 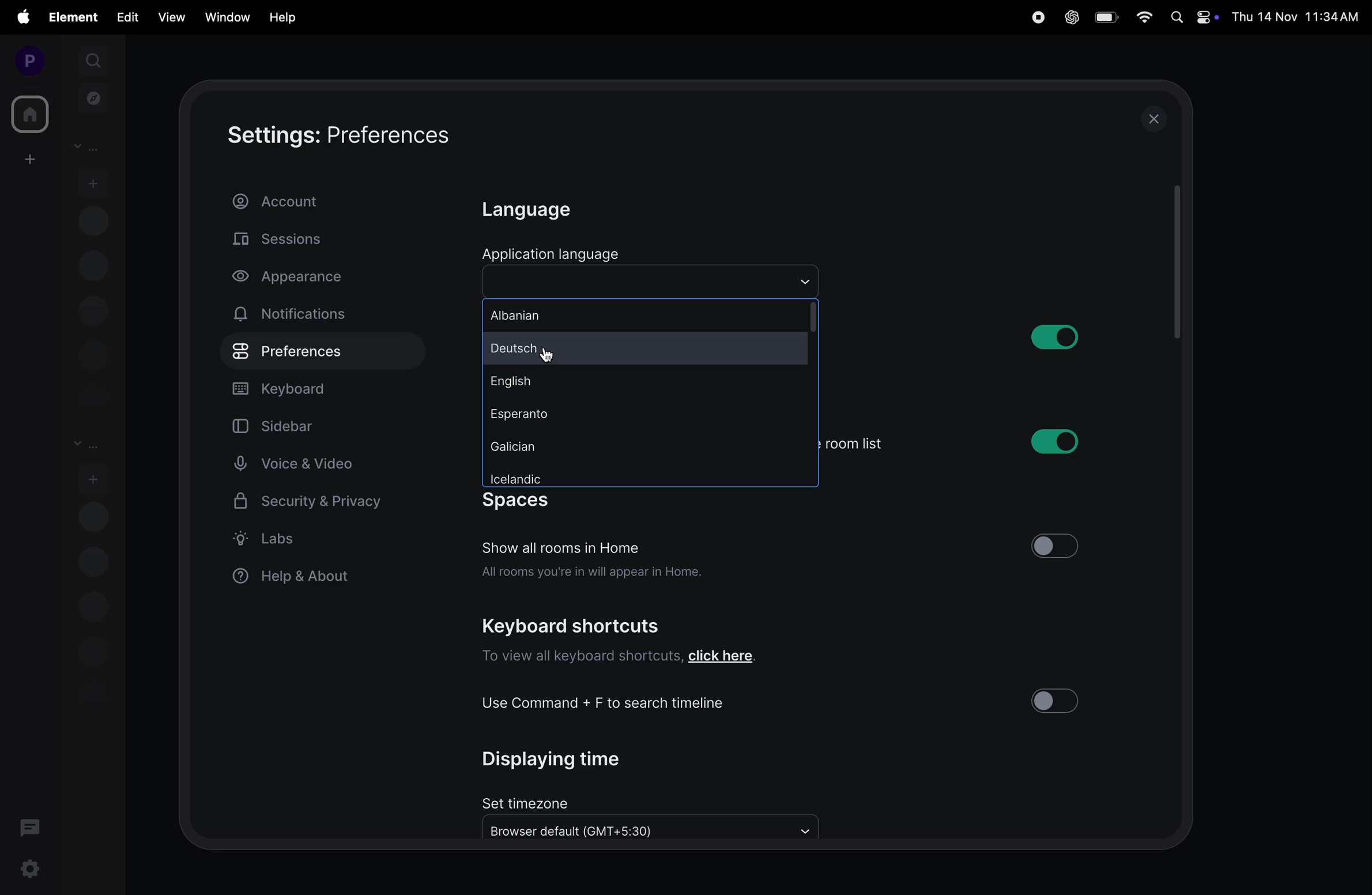 What do you see at coordinates (31, 111) in the screenshot?
I see `home` at bounding box center [31, 111].